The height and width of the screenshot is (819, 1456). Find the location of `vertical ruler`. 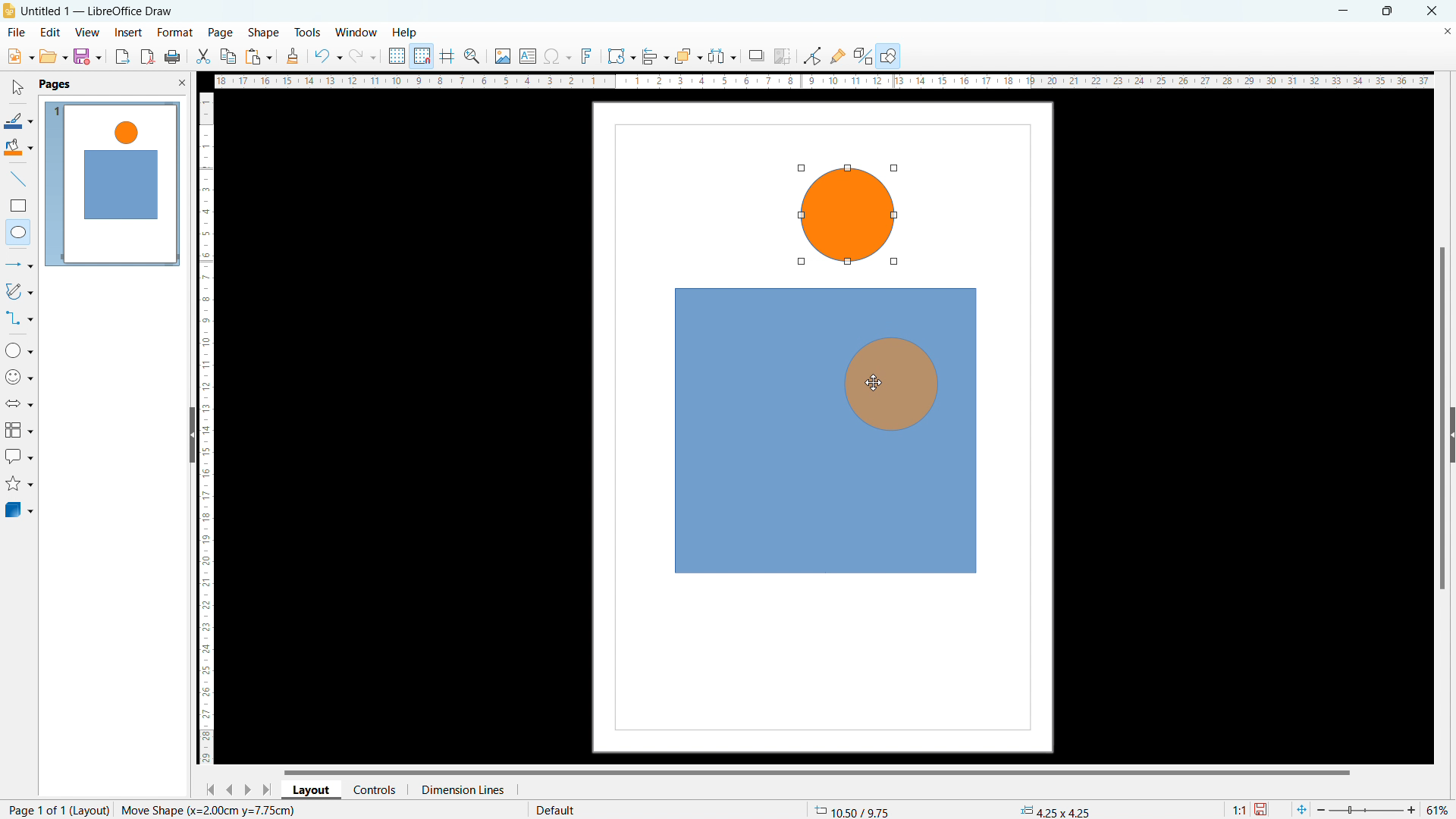

vertical ruler is located at coordinates (206, 428).